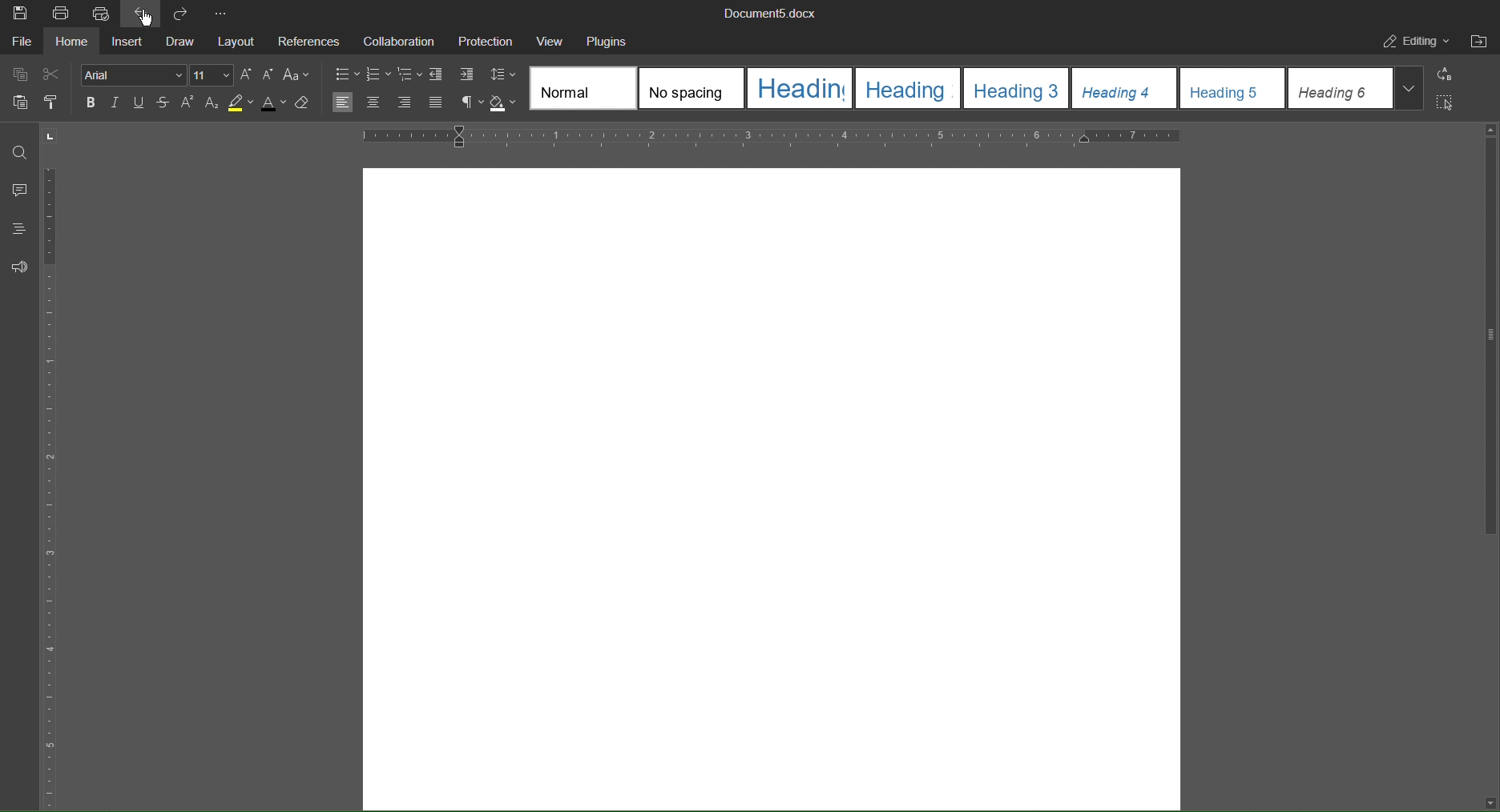 The height and width of the screenshot is (812, 1500). What do you see at coordinates (181, 41) in the screenshot?
I see `Draw` at bounding box center [181, 41].